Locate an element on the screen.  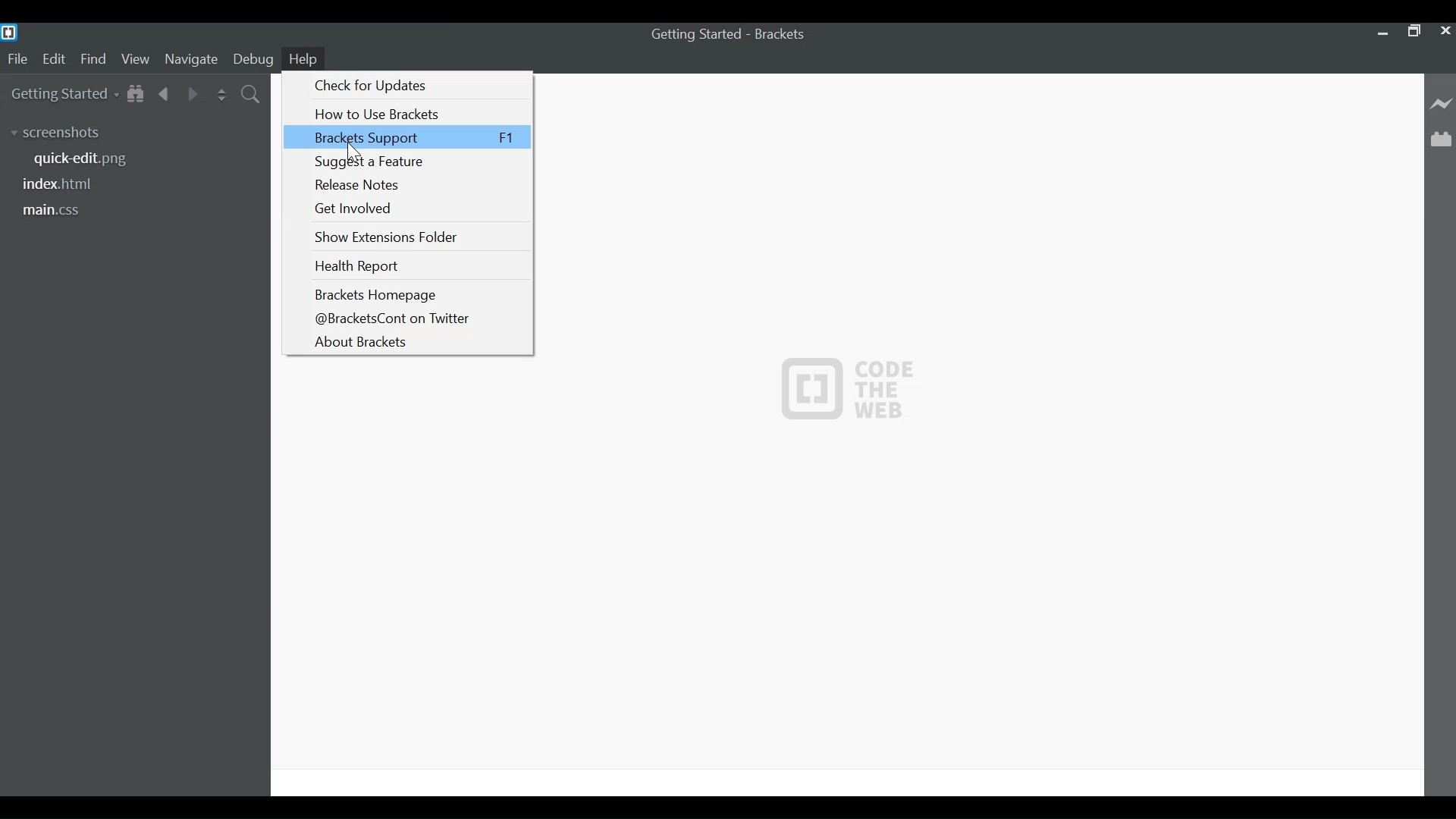
index html File is located at coordinates (62, 184).